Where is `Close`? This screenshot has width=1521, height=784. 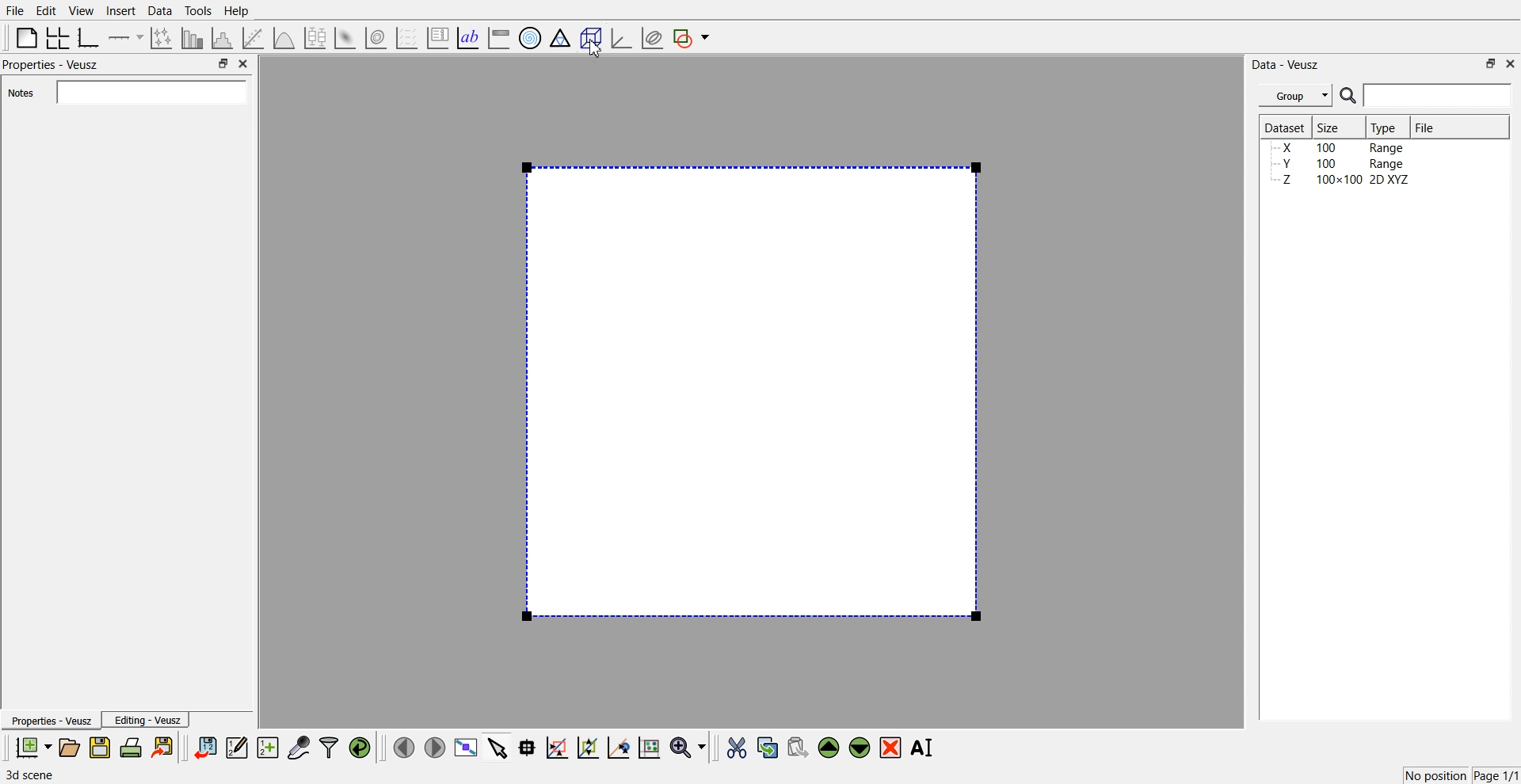 Close is located at coordinates (1511, 63).